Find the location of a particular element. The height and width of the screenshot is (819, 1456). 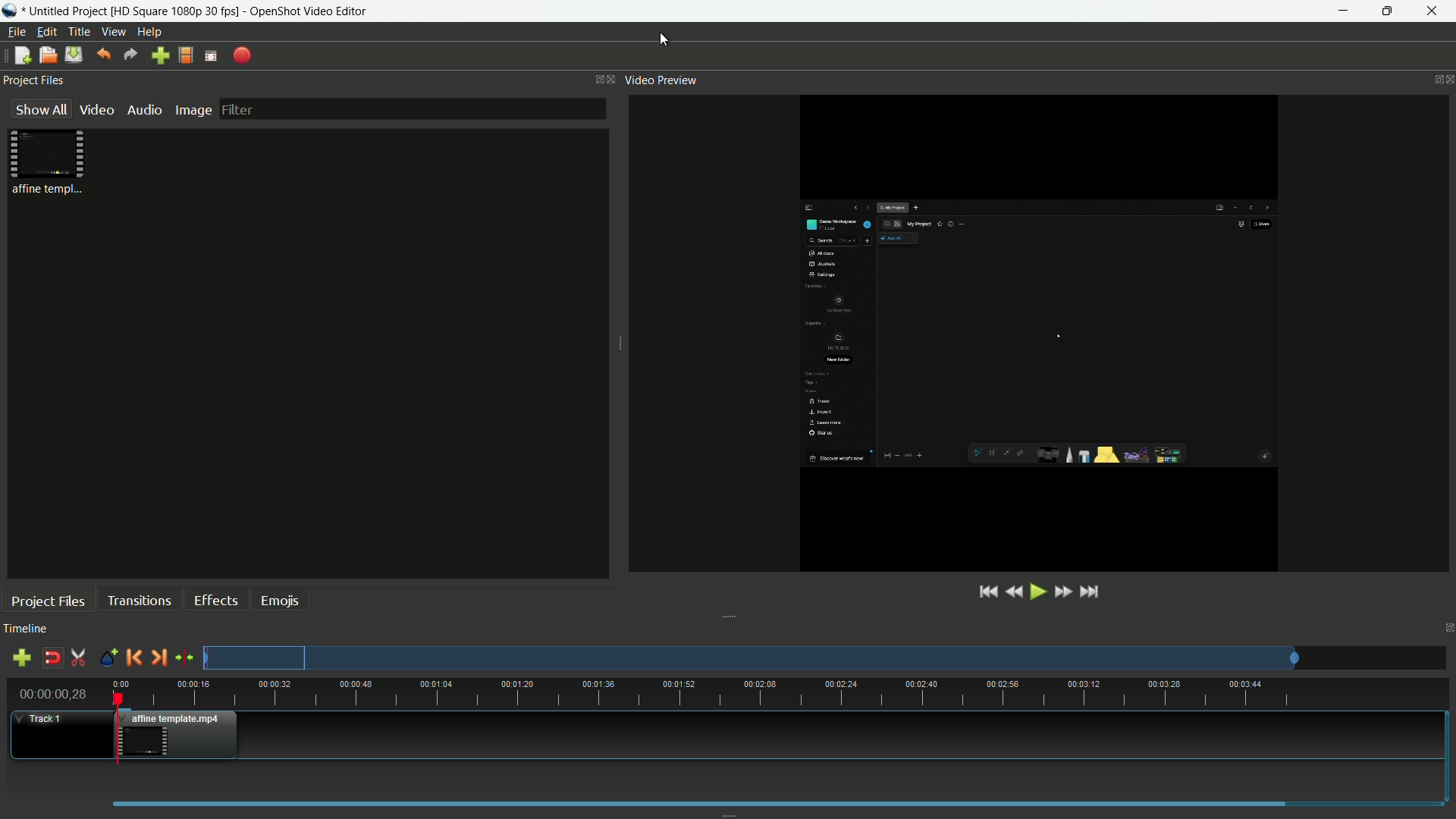

view menu is located at coordinates (114, 32).